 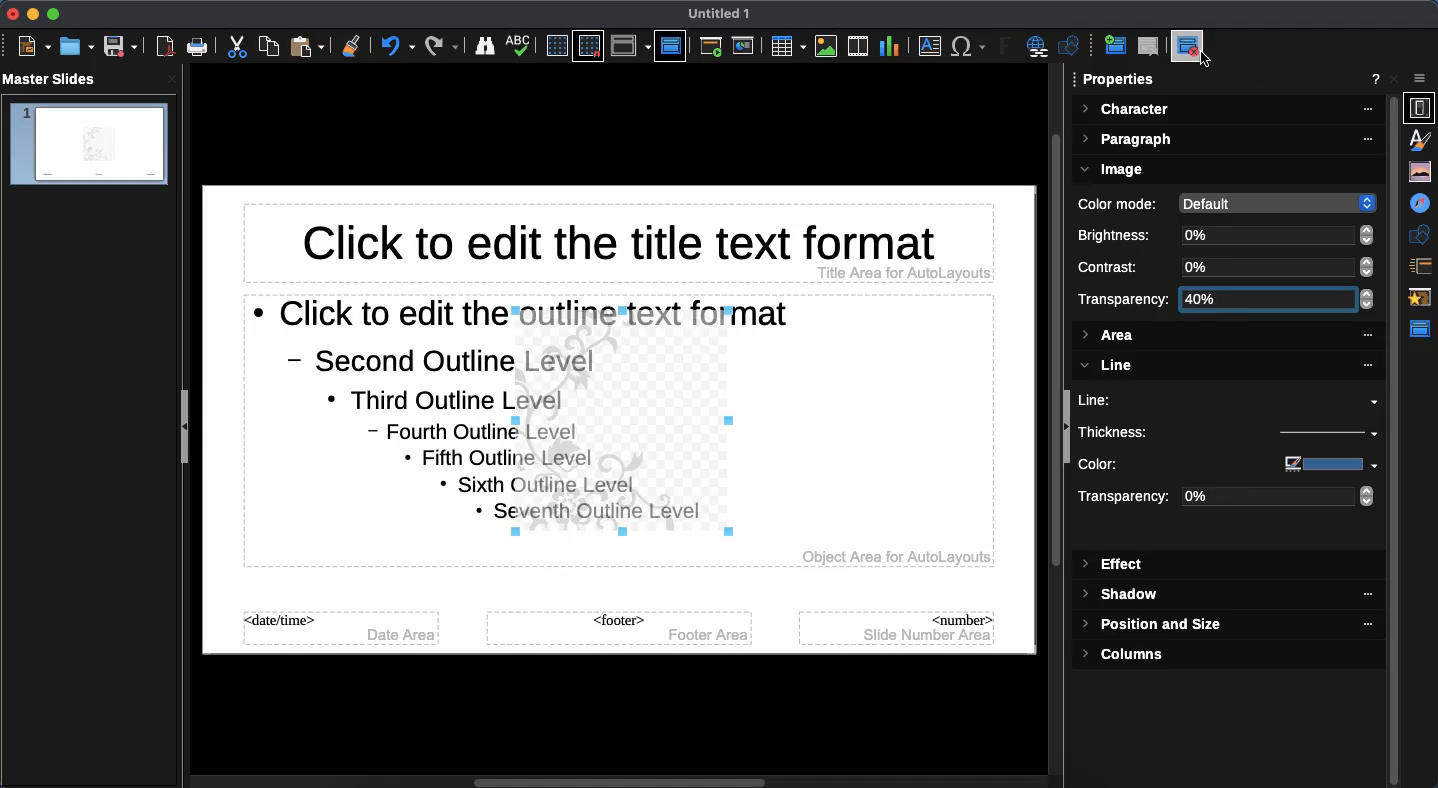 I want to click on Line, so click(x=1229, y=400).